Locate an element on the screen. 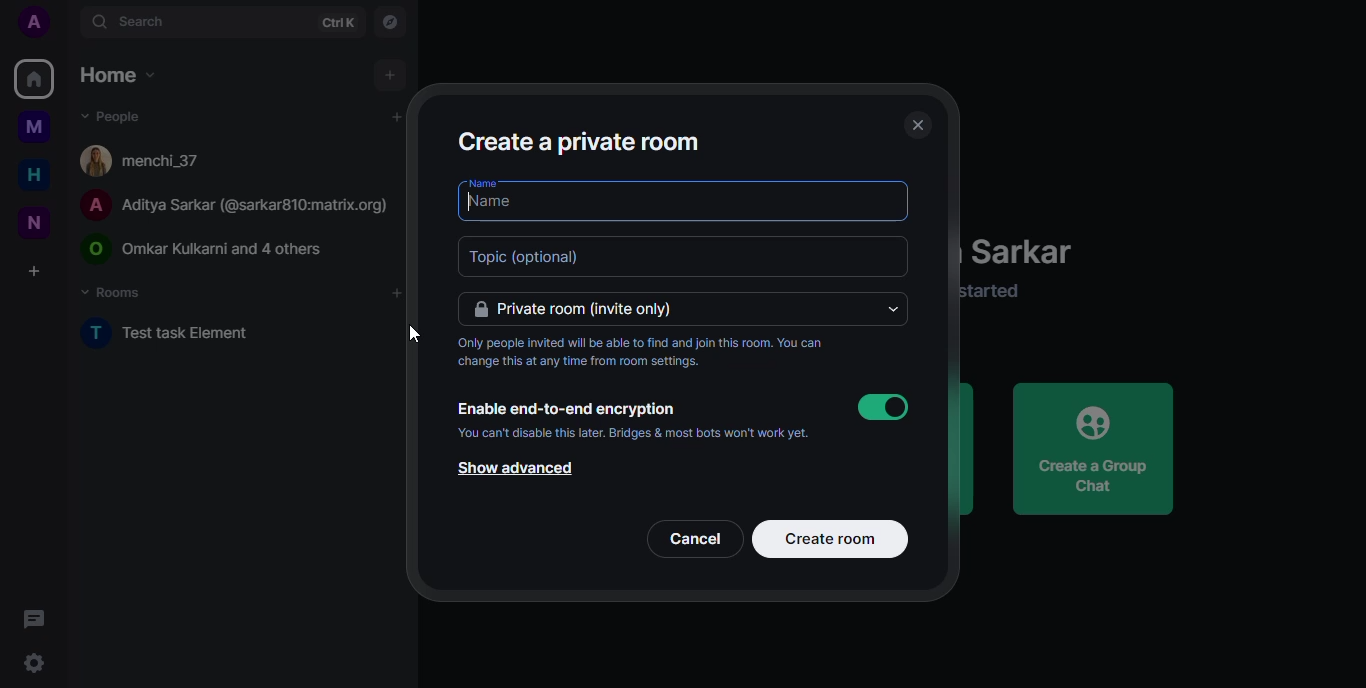 This screenshot has width=1366, height=688. create room is located at coordinates (826, 537).